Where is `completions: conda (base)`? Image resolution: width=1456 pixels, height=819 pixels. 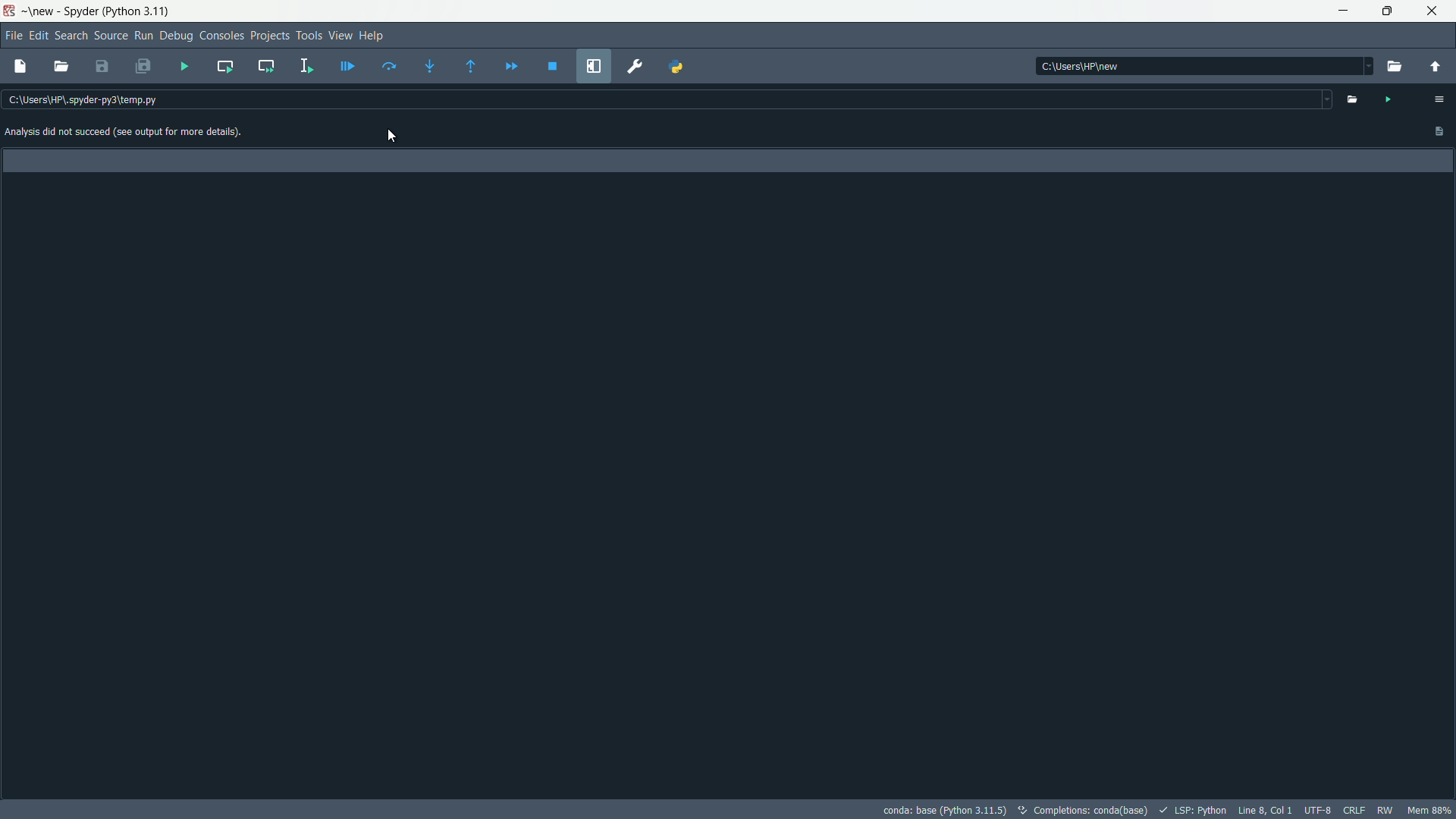
completions: conda (base) is located at coordinates (1080, 810).